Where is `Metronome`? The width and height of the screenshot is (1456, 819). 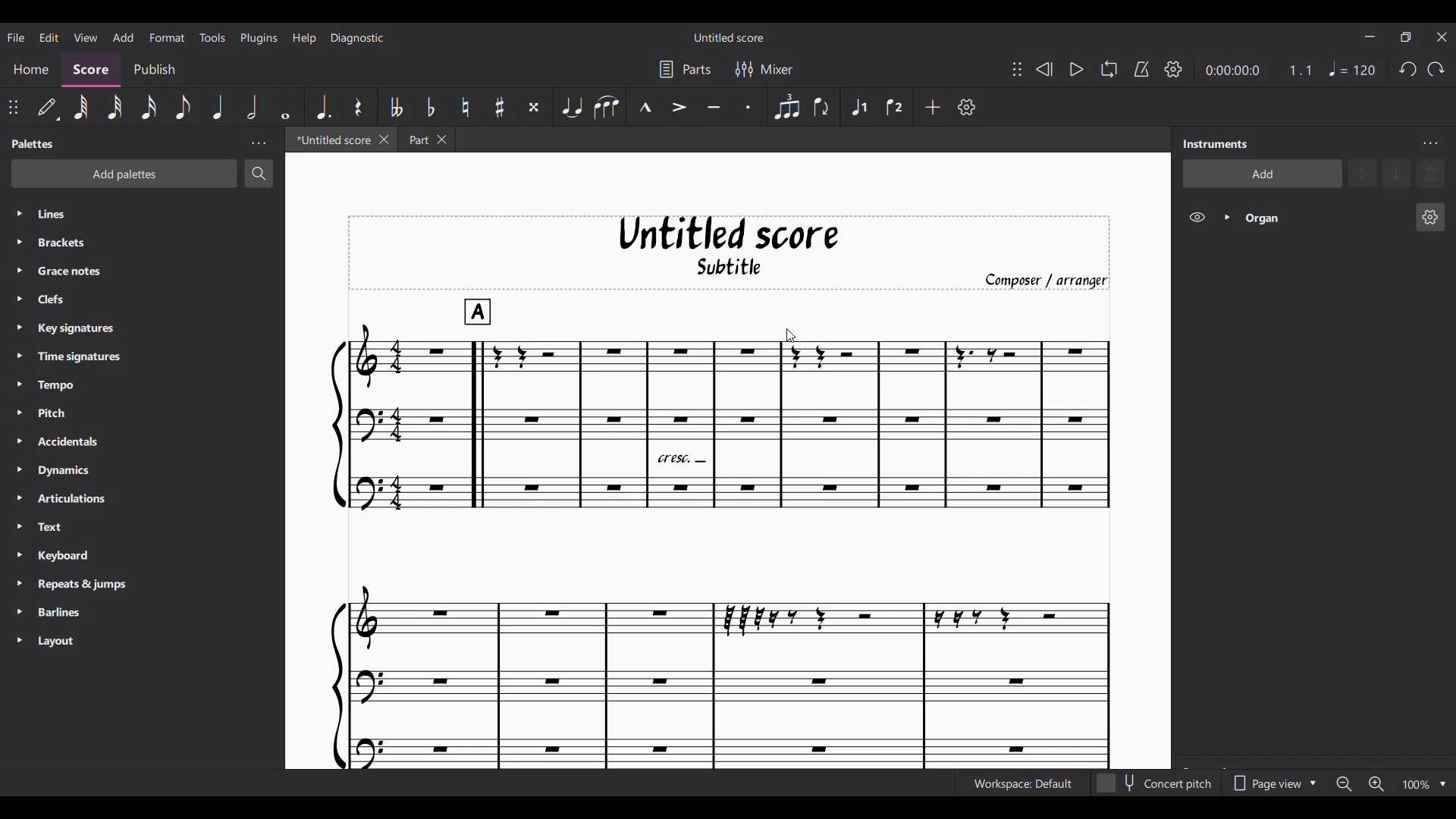
Metronome is located at coordinates (1142, 70).